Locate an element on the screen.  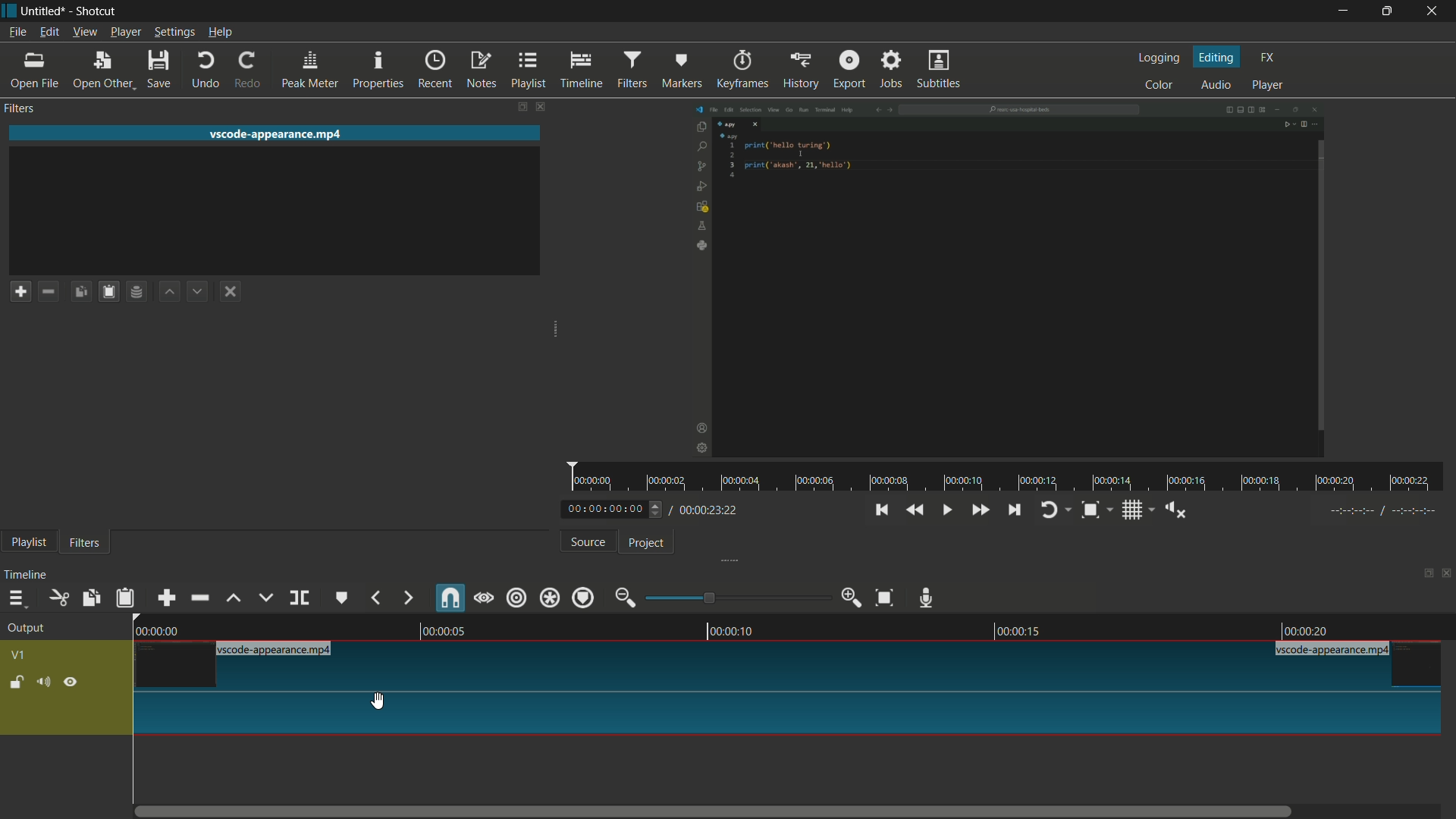
lift is located at coordinates (231, 598).